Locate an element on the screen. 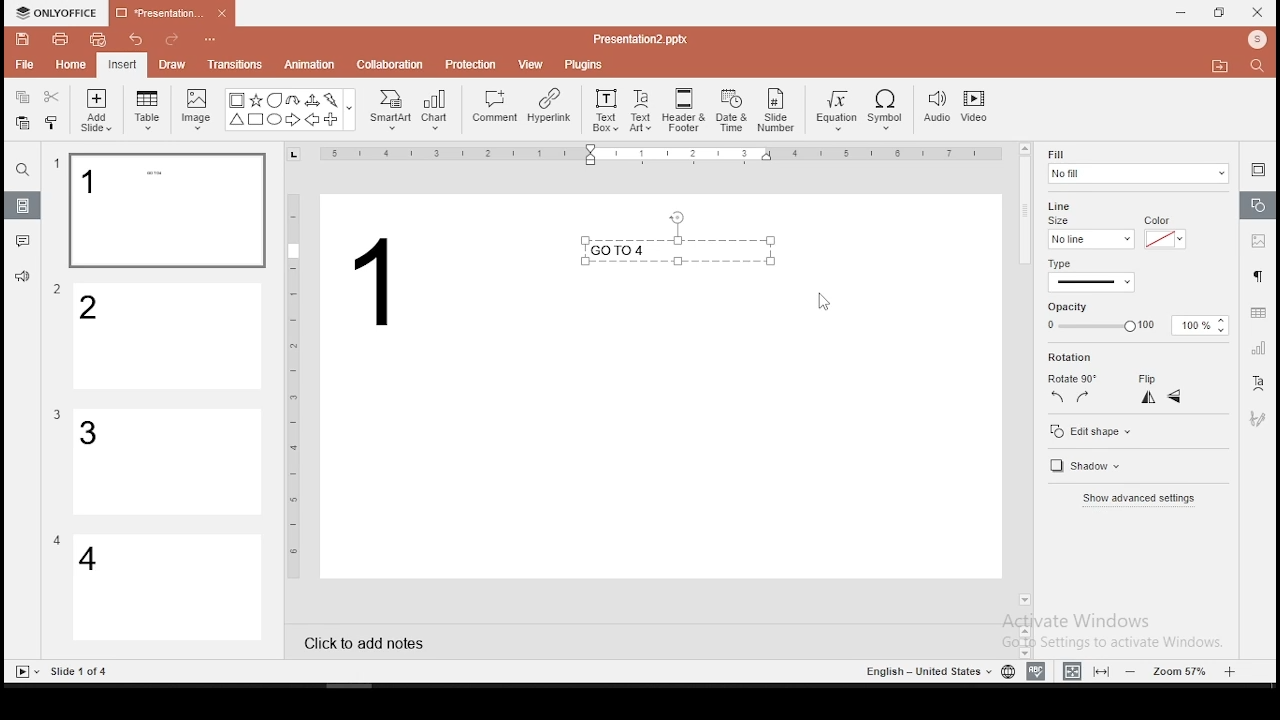 This screenshot has width=1280, height=720.  is located at coordinates (665, 155).